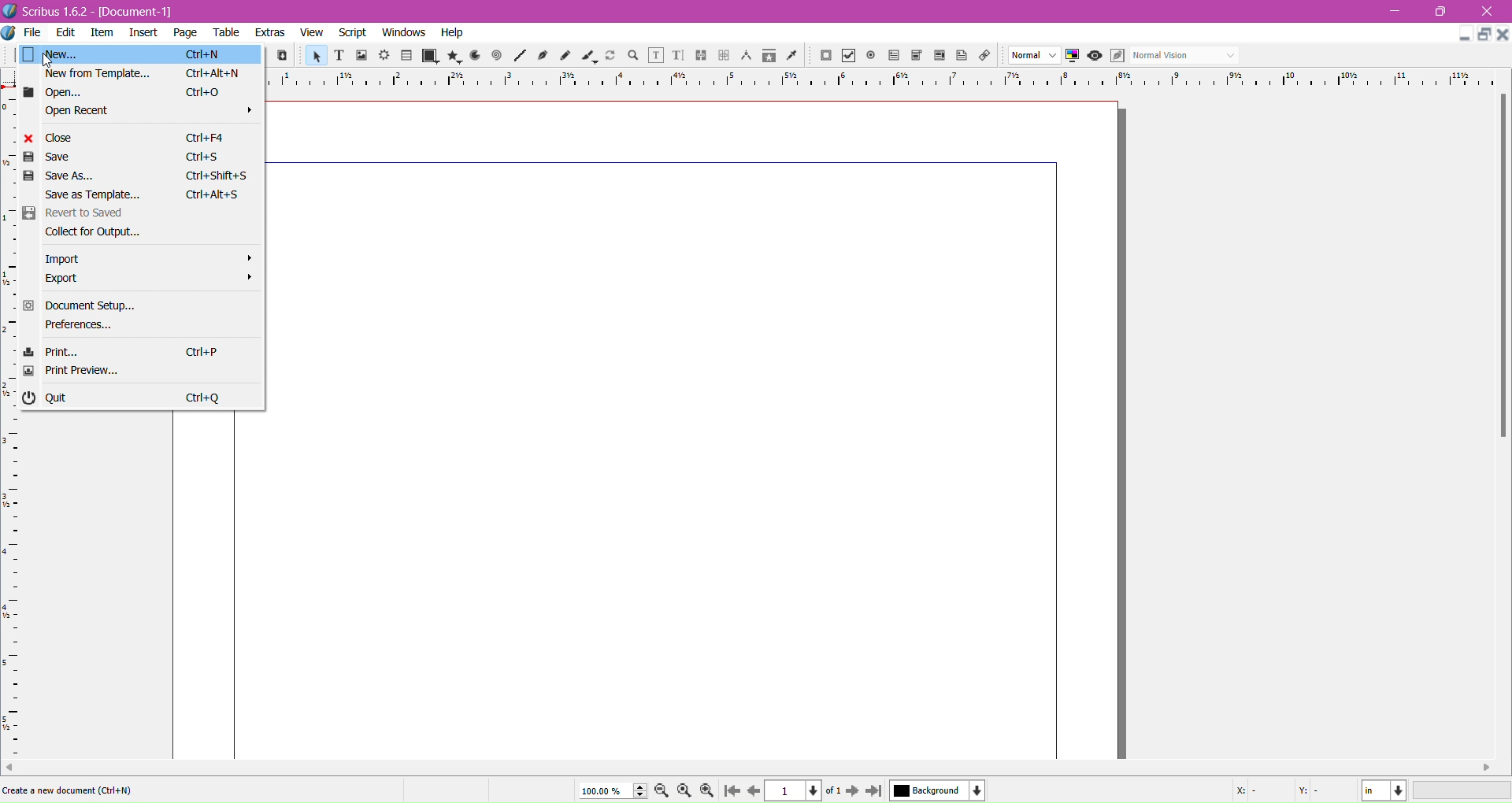 The height and width of the screenshot is (803, 1512). I want to click on icon, so click(823, 57).